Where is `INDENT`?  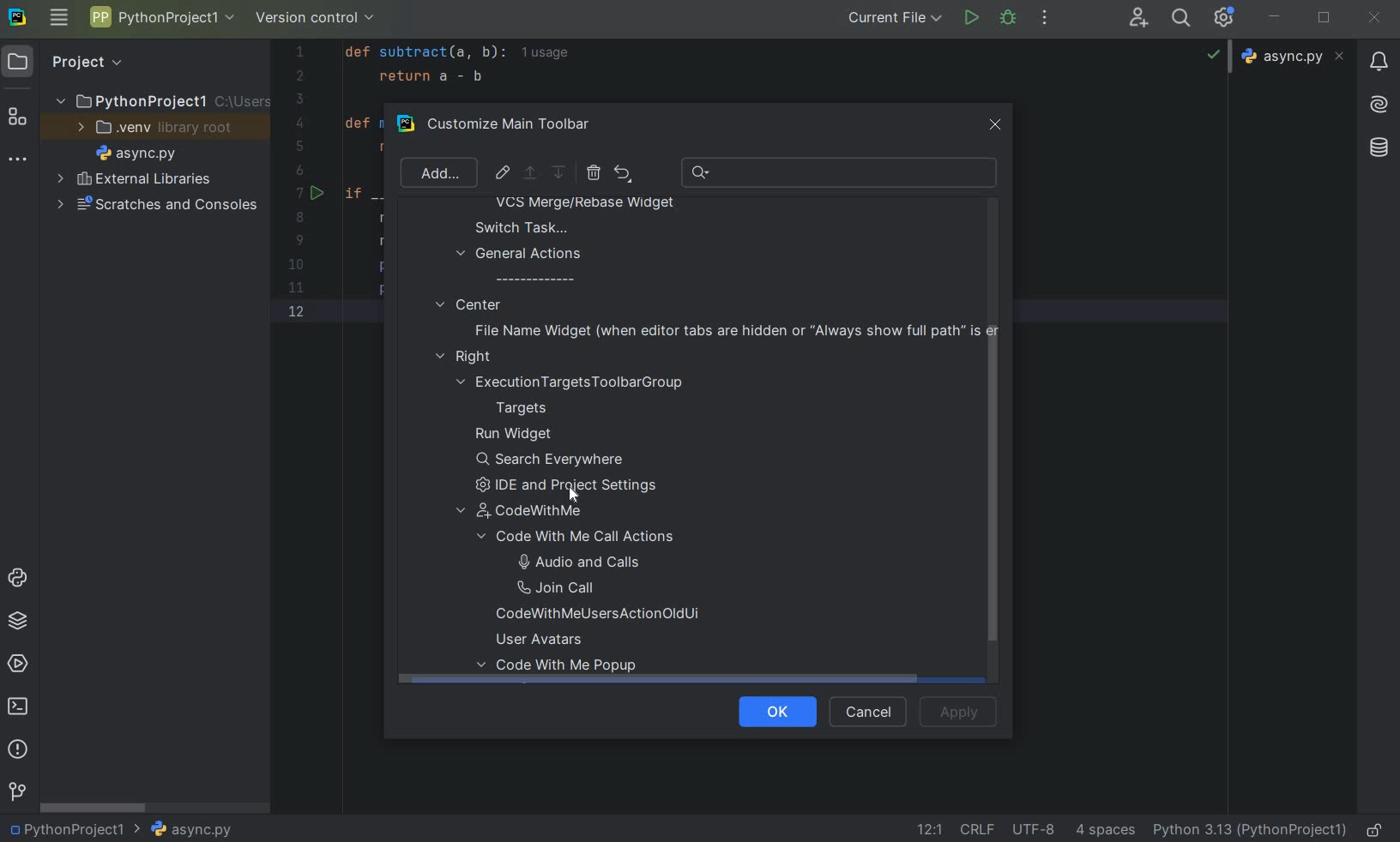 INDENT is located at coordinates (1103, 829).